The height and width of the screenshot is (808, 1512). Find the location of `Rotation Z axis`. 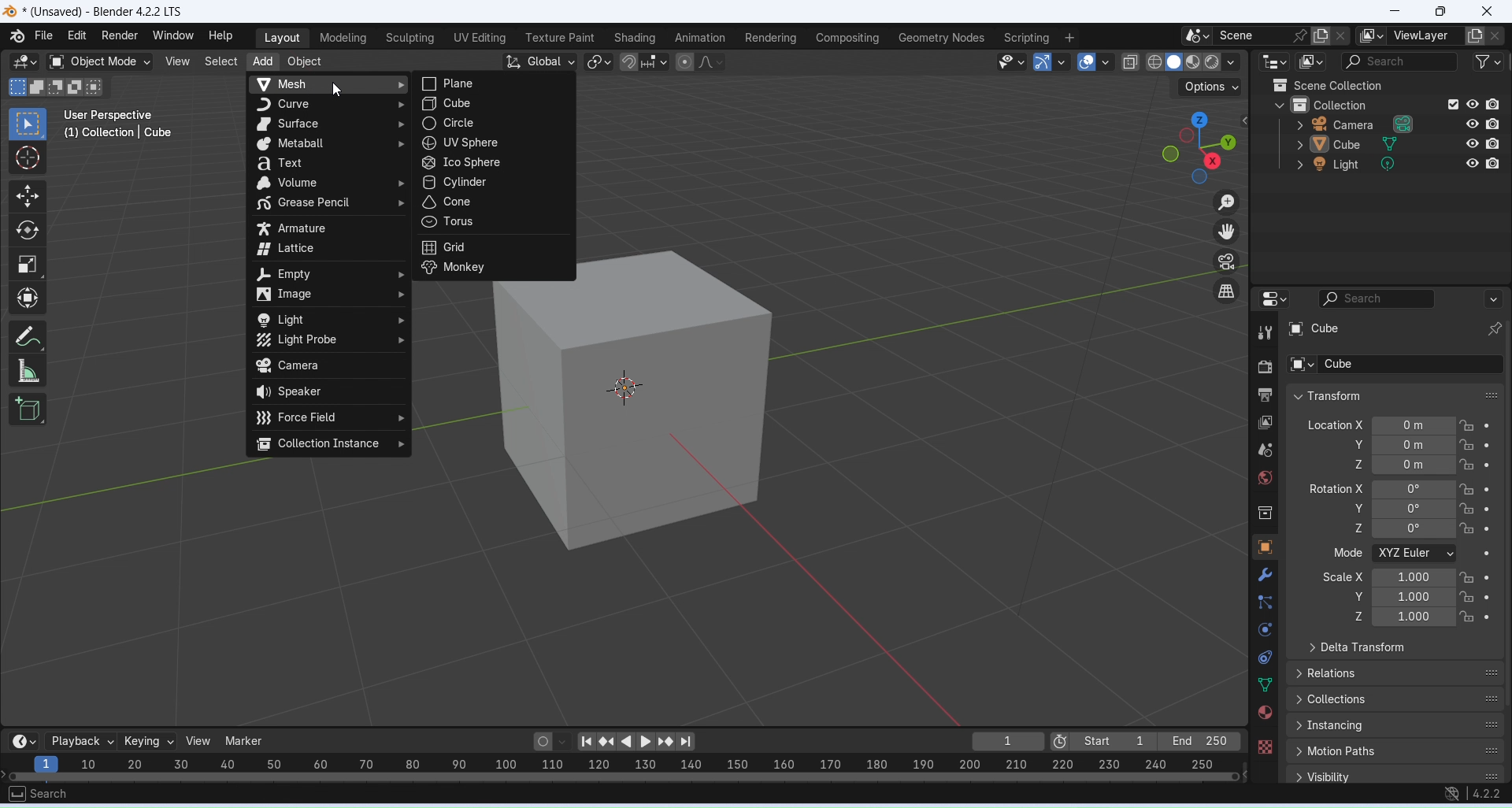

Rotation Z axis is located at coordinates (1358, 527).